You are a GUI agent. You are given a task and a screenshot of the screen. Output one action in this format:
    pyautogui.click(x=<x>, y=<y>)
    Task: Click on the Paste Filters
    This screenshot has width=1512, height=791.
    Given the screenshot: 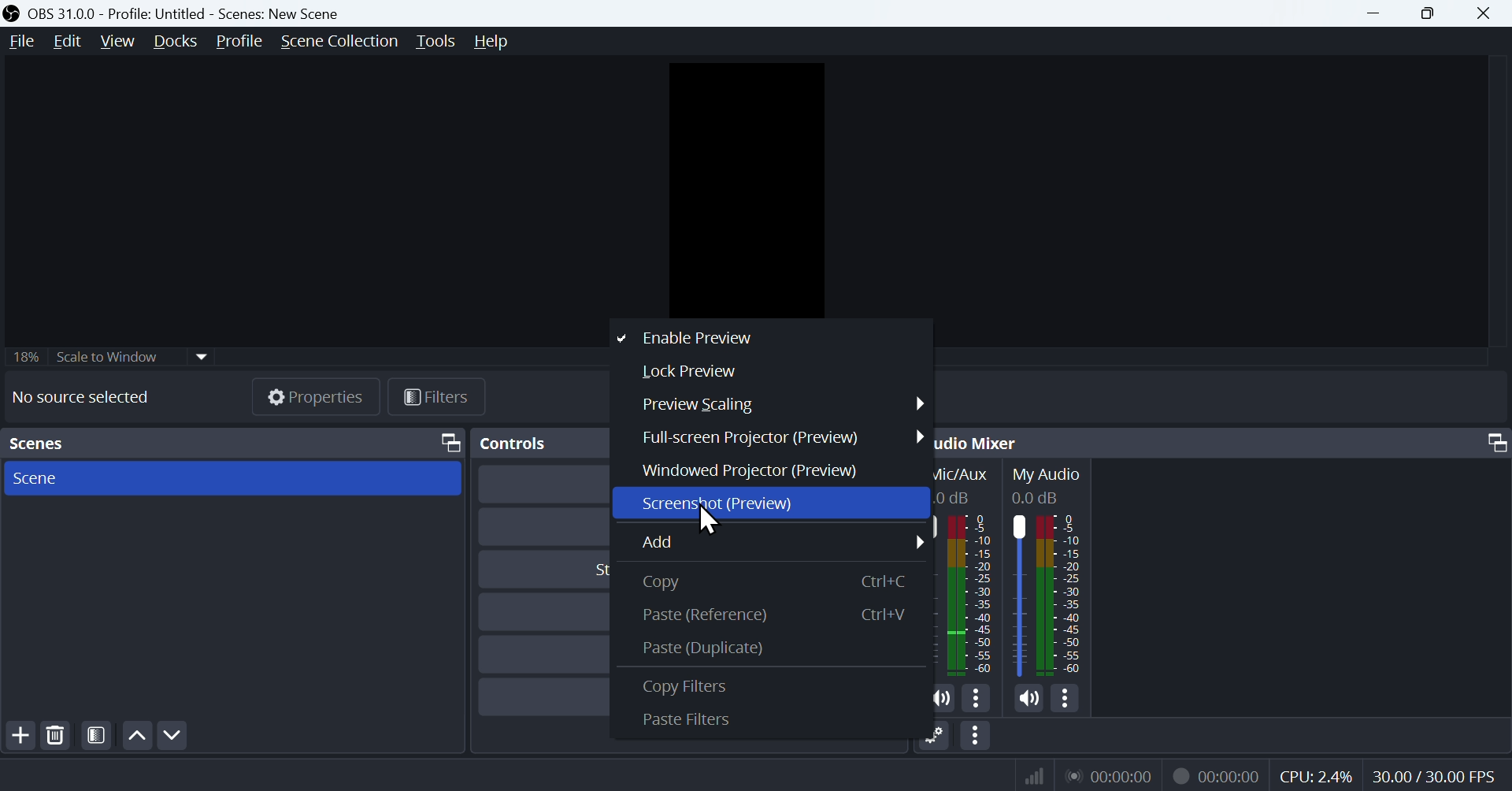 What is the action you would take?
    pyautogui.click(x=691, y=721)
    